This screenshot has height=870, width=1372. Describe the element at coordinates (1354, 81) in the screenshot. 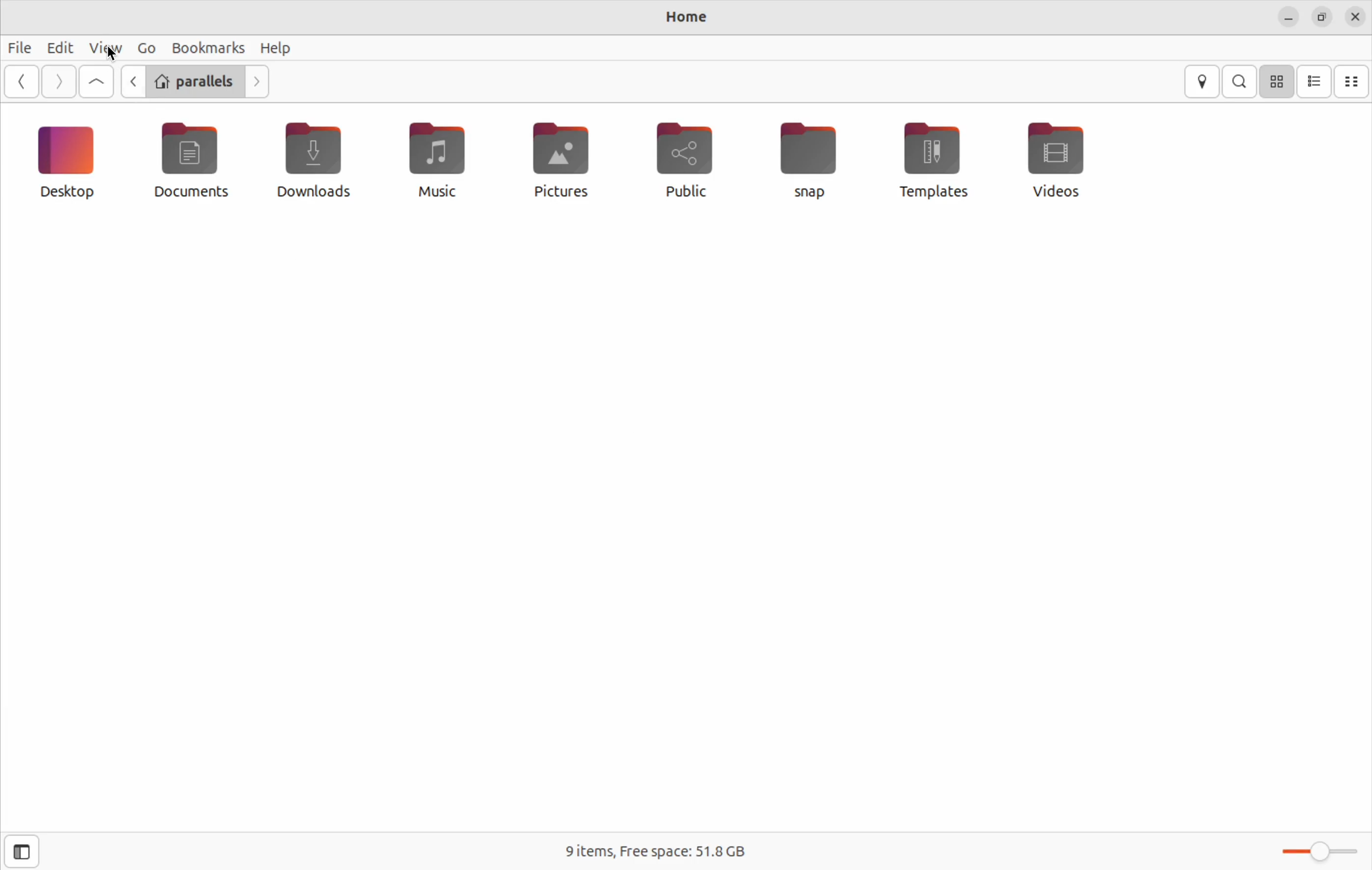

I see `compact view` at that location.